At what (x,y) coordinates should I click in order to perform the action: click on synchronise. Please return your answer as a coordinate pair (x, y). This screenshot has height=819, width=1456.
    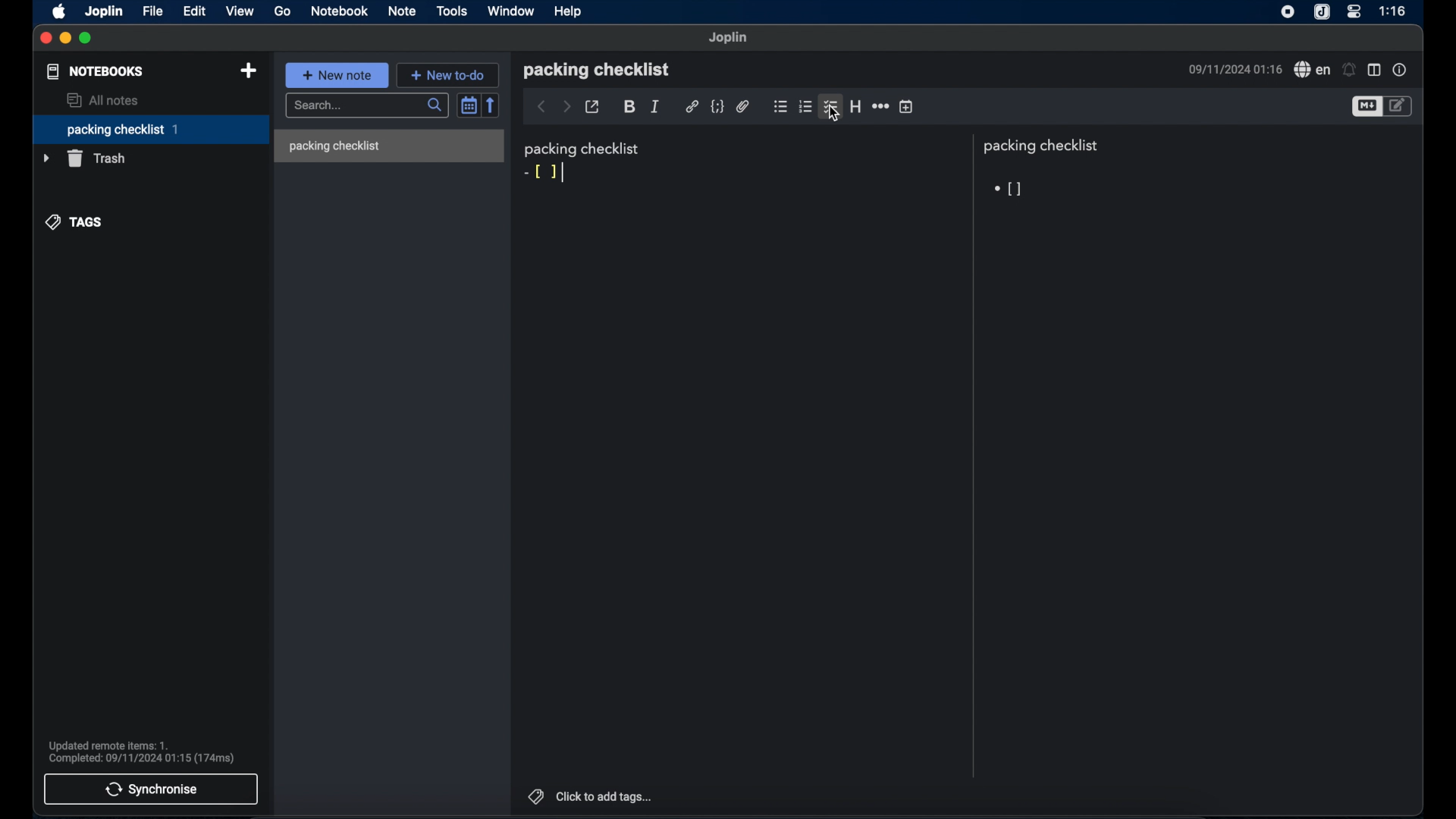
    Looking at the image, I should click on (150, 789).